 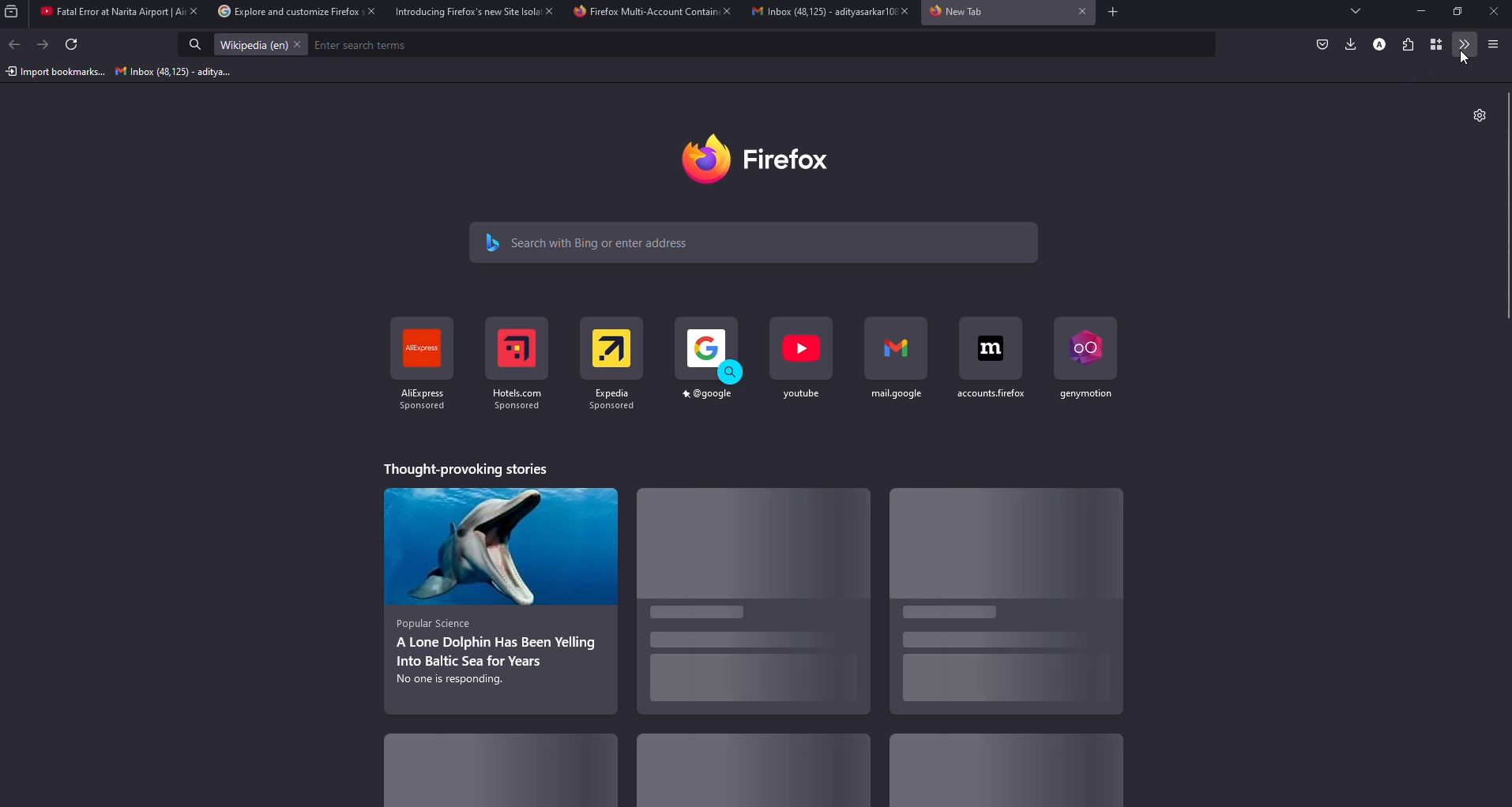 What do you see at coordinates (1083, 357) in the screenshot?
I see `shortcut` at bounding box center [1083, 357].